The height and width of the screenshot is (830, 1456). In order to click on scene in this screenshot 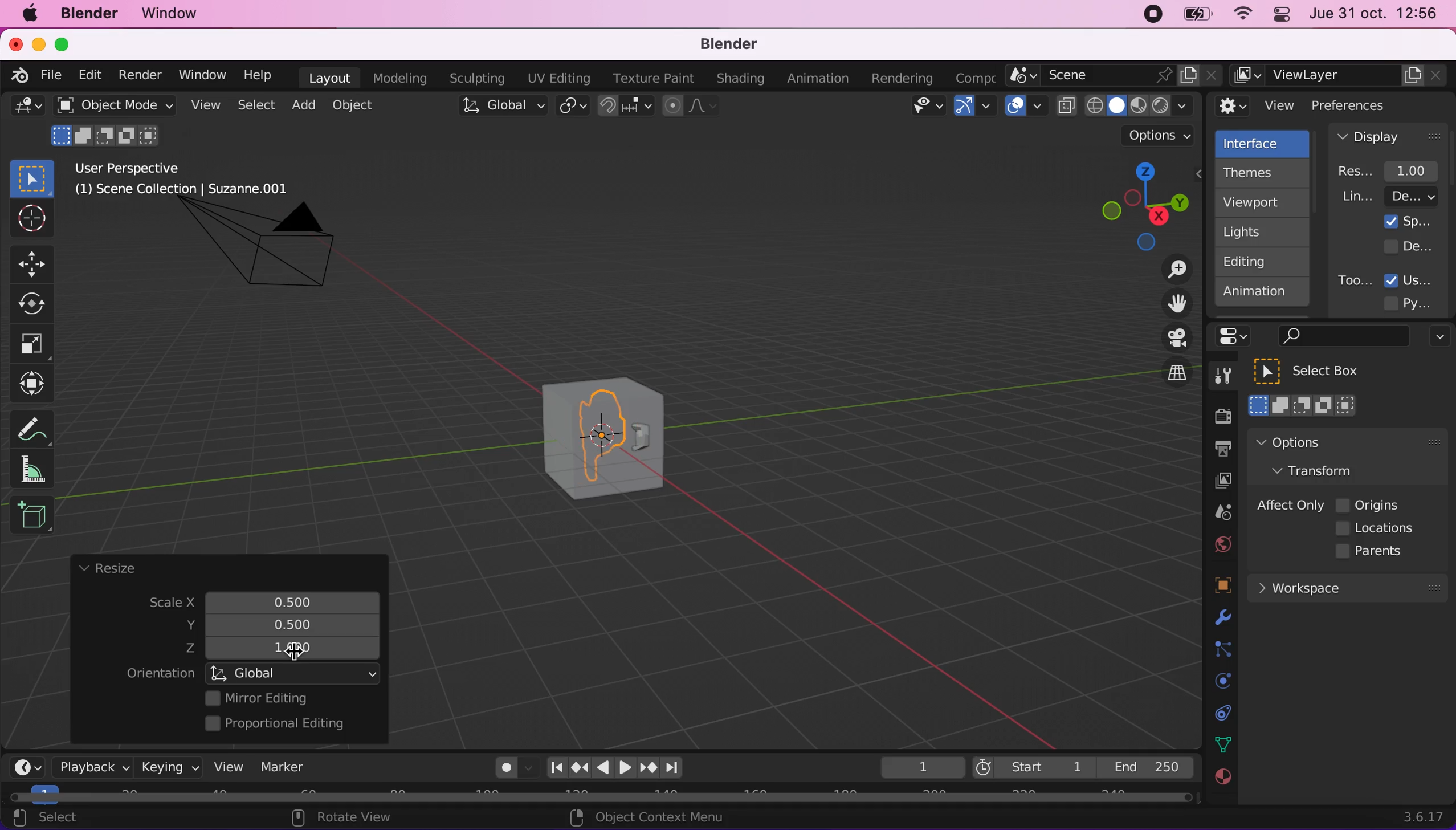, I will do `click(1218, 513)`.